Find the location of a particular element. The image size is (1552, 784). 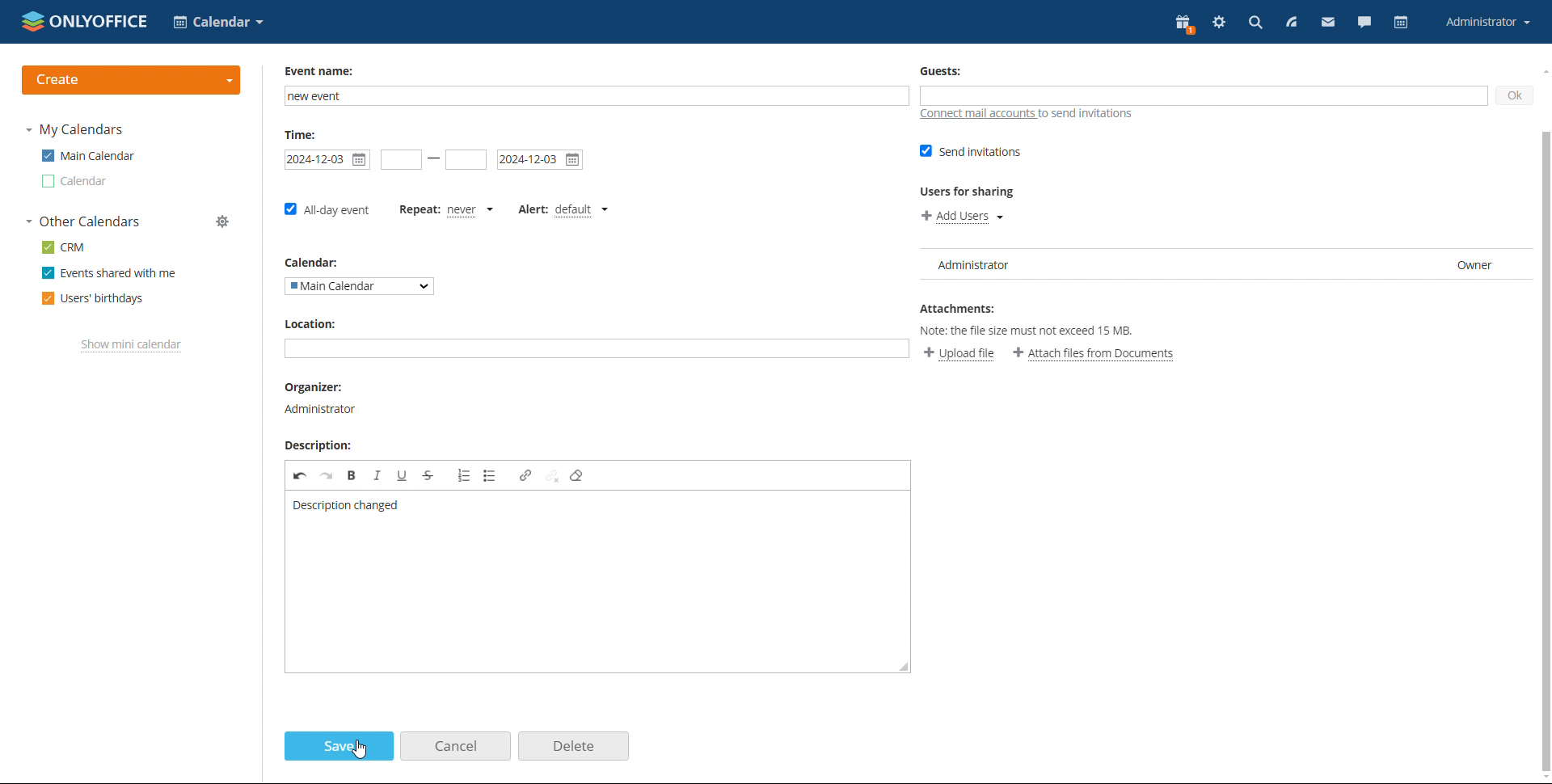

start date is located at coordinates (401, 160).